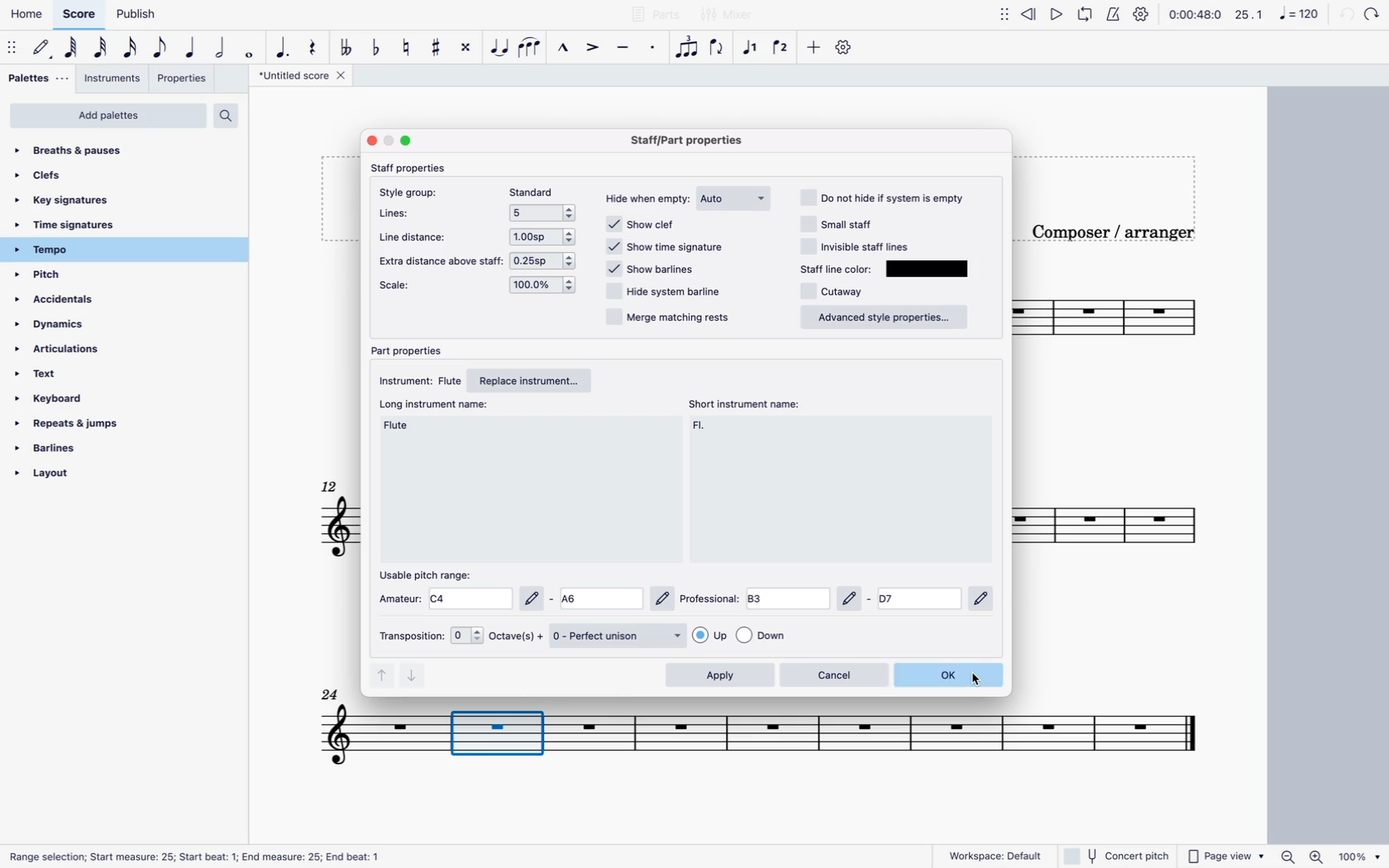 This screenshot has width=1389, height=868. Describe the element at coordinates (85, 203) in the screenshot. I see `key signatures` at that location.